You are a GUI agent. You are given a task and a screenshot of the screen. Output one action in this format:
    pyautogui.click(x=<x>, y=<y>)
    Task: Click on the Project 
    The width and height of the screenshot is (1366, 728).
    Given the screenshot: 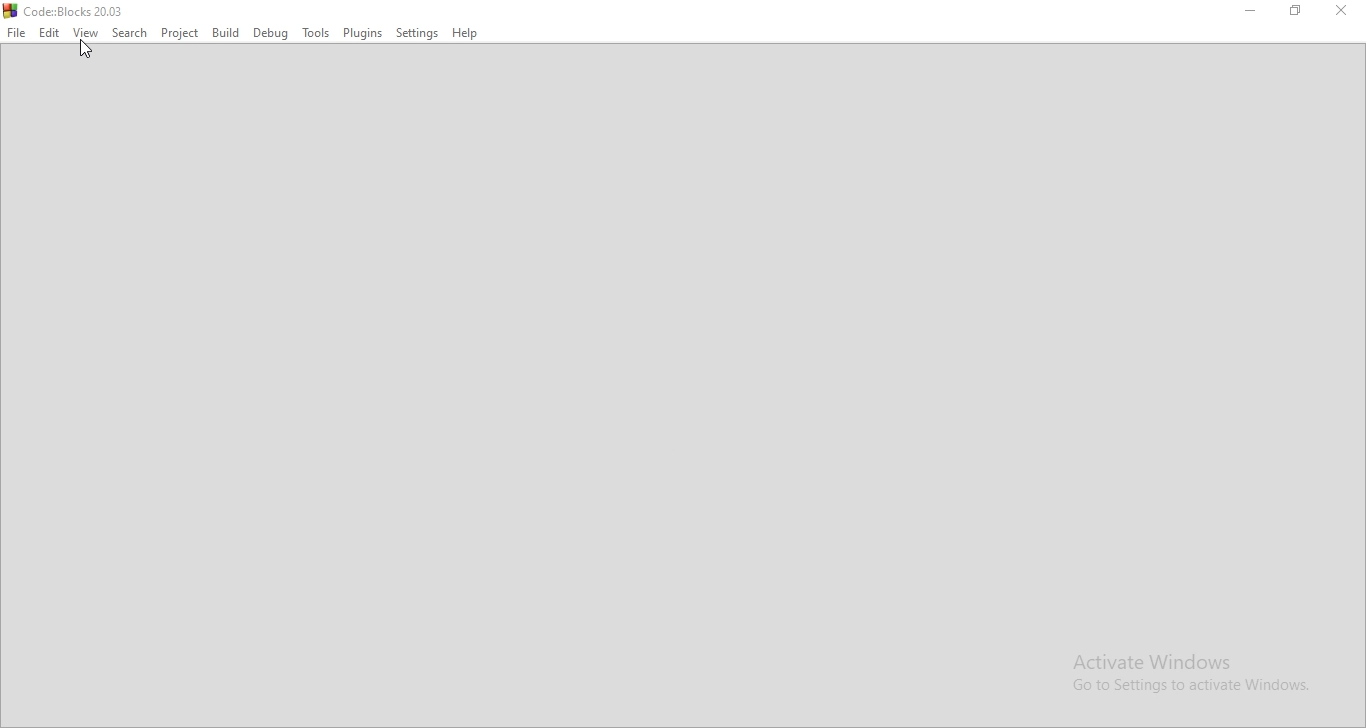 What is the action you would take?
    pyautogui.click(x=179, y=33)
    